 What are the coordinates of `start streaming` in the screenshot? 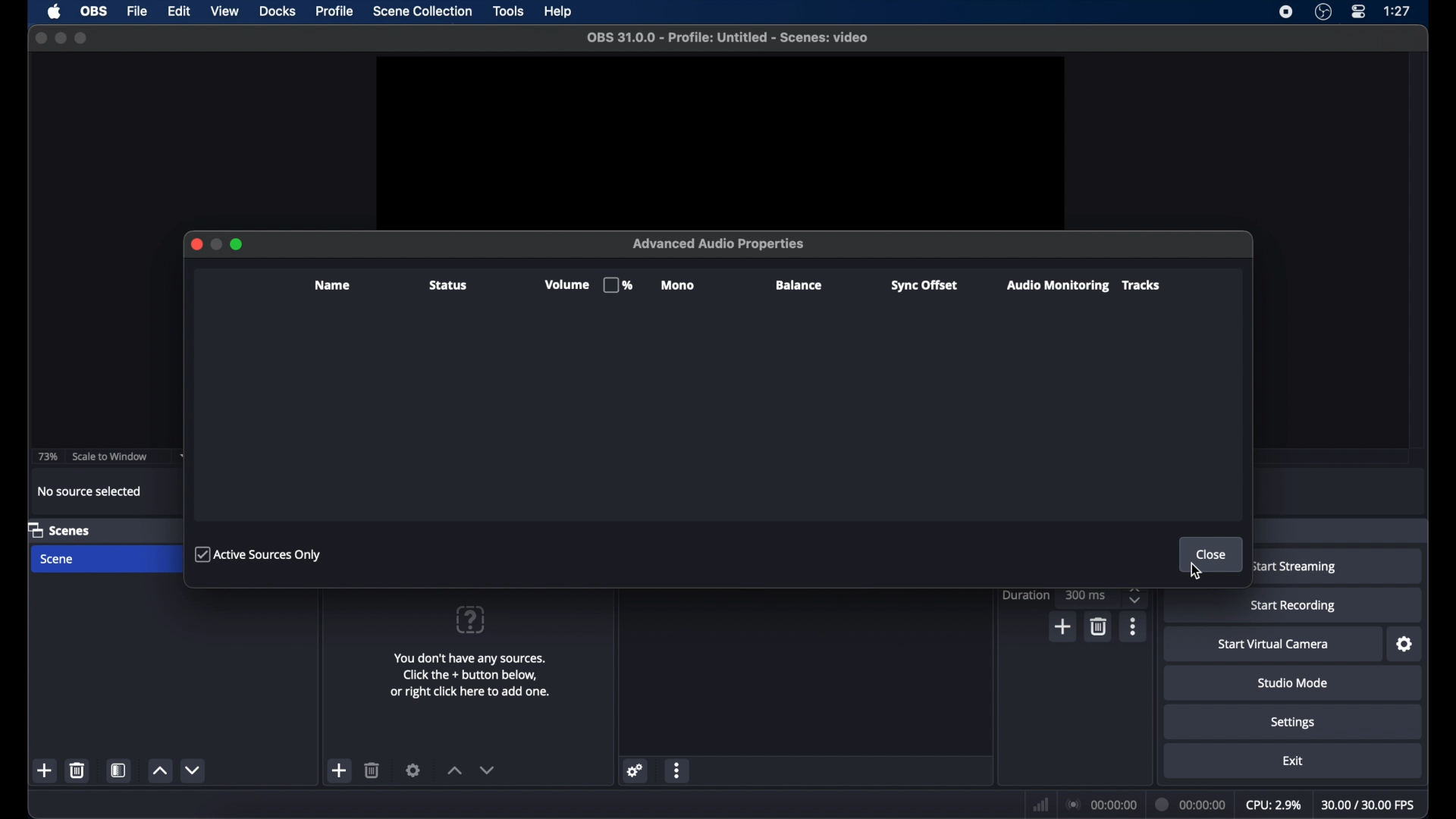 It's located at (1294, 567).